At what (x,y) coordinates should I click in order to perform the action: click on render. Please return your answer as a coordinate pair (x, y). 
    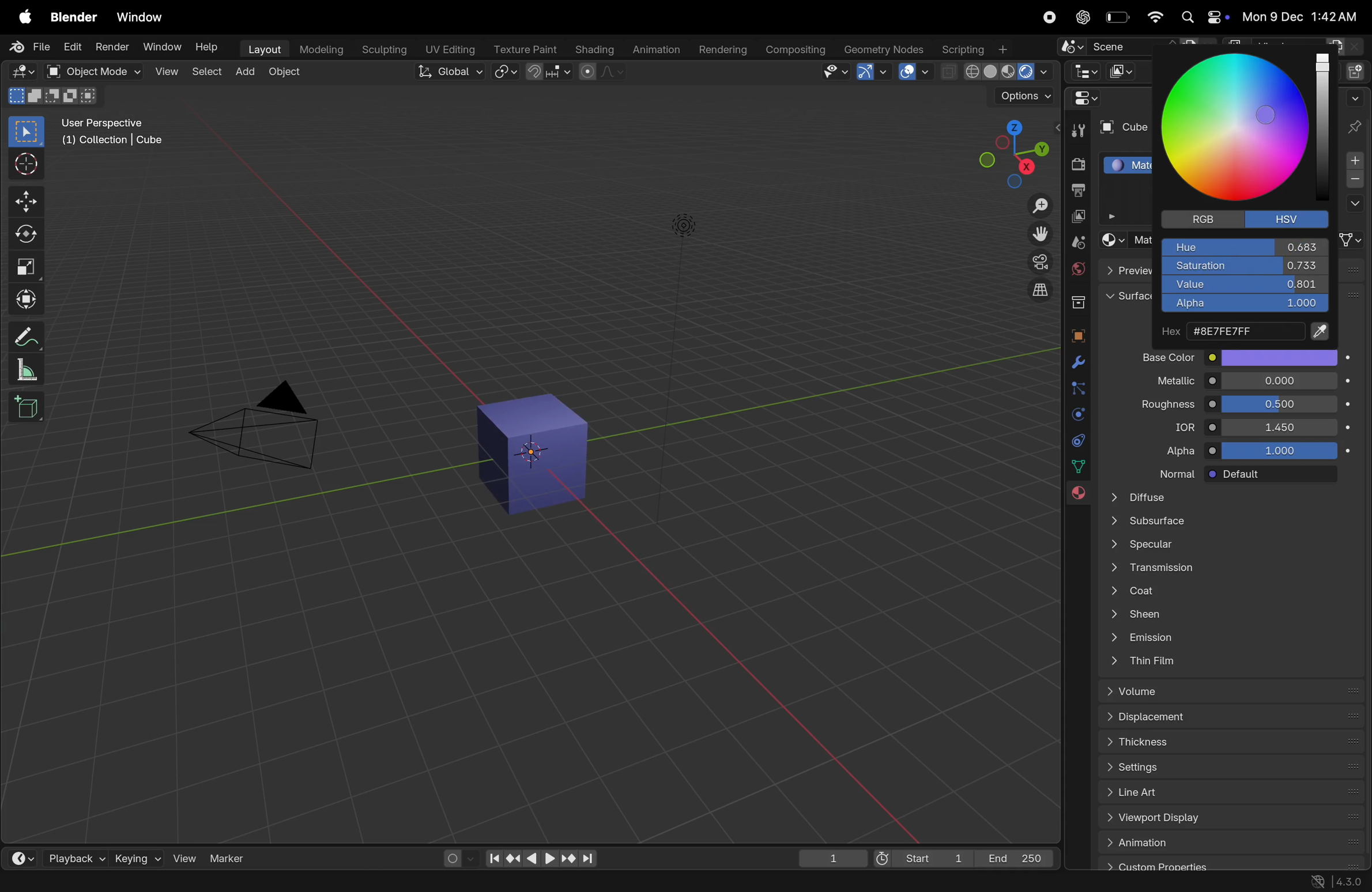
    Looking at the image, I should click on (1075, 165).